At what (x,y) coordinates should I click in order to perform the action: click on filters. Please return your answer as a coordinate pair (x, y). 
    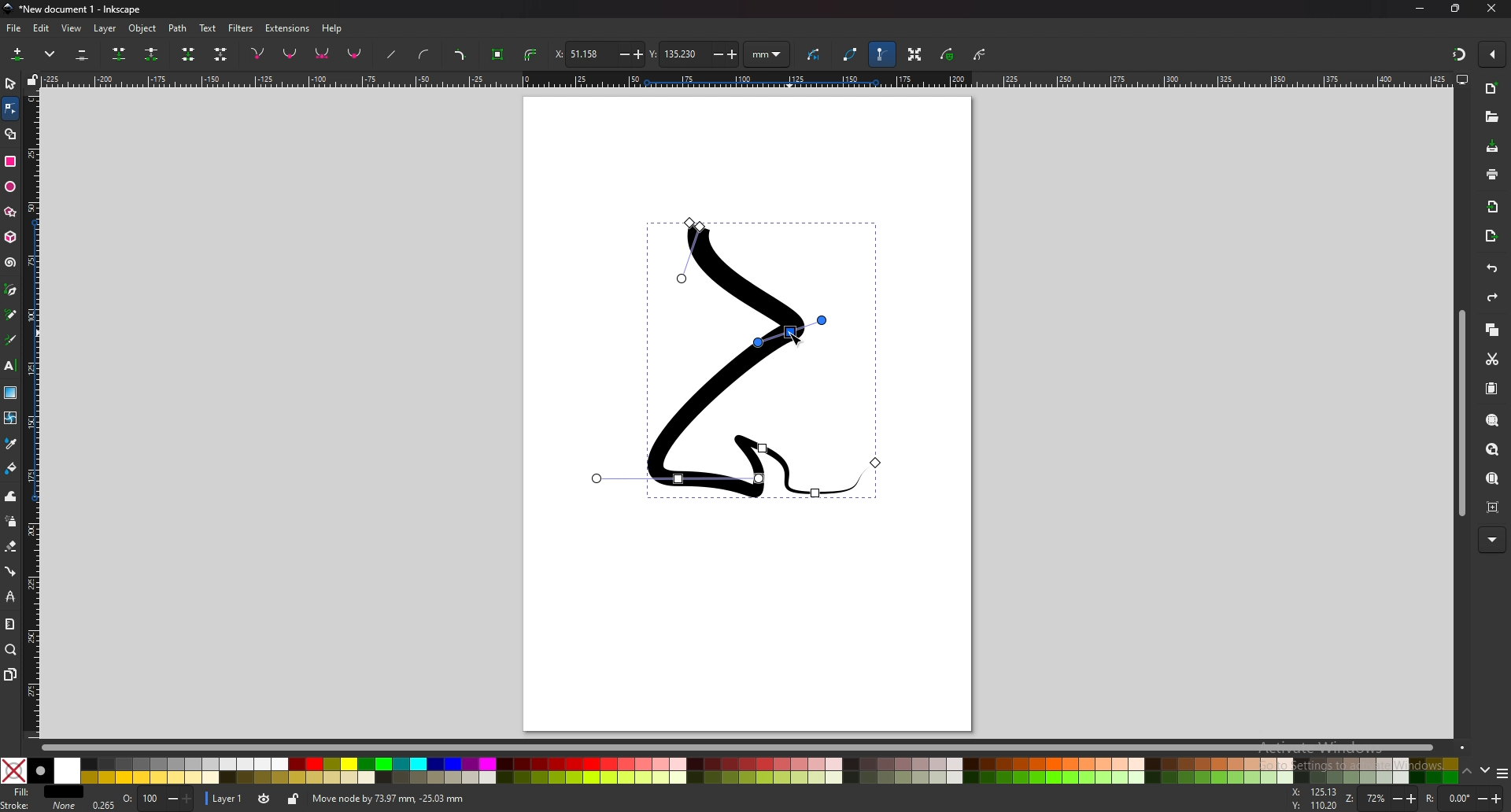
    Looking at the image, I should click on (242, 27).